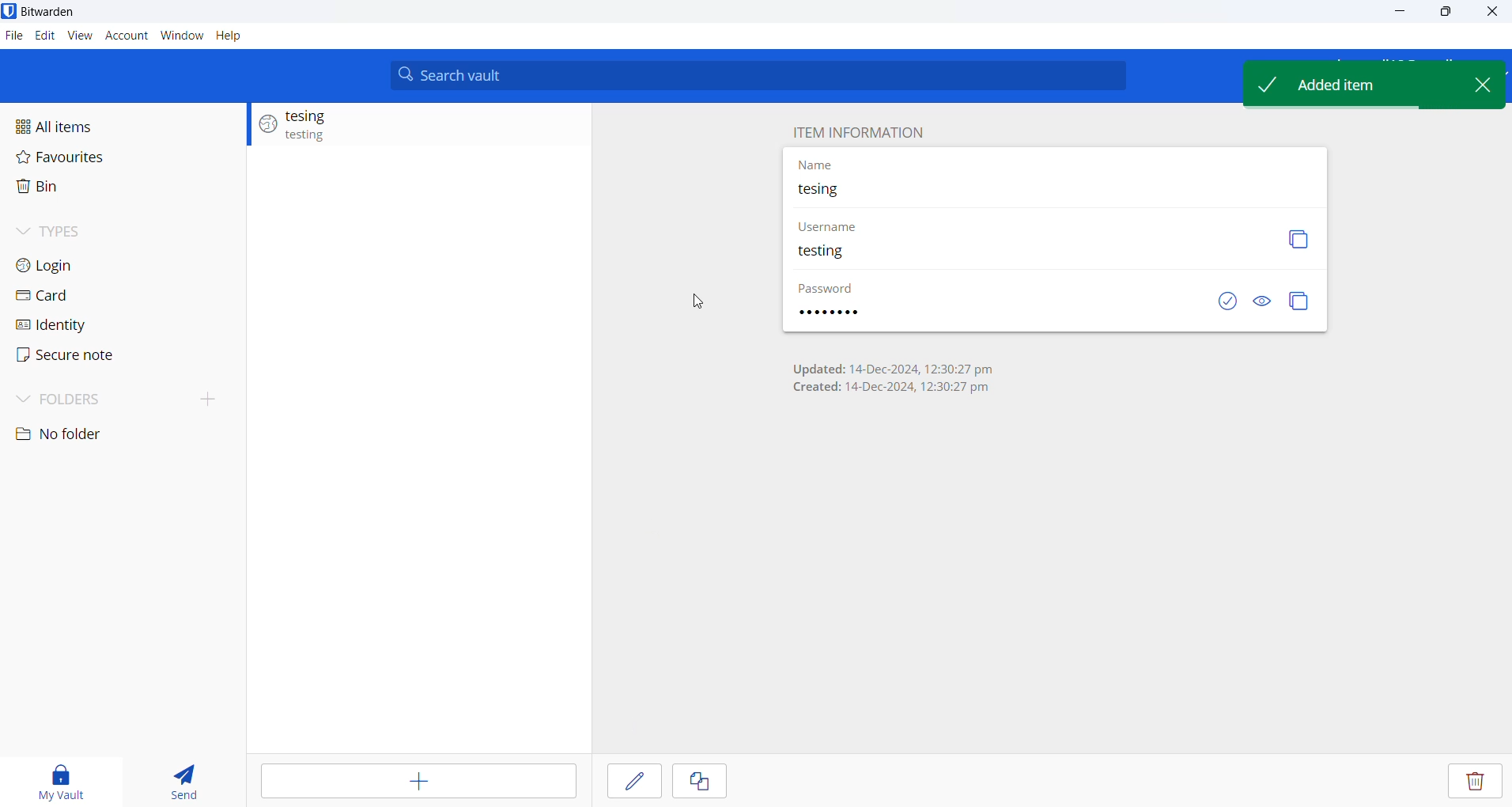 This screenshot has width=1512, height=807. I want to click on PASSWORD, so click(830, 288).